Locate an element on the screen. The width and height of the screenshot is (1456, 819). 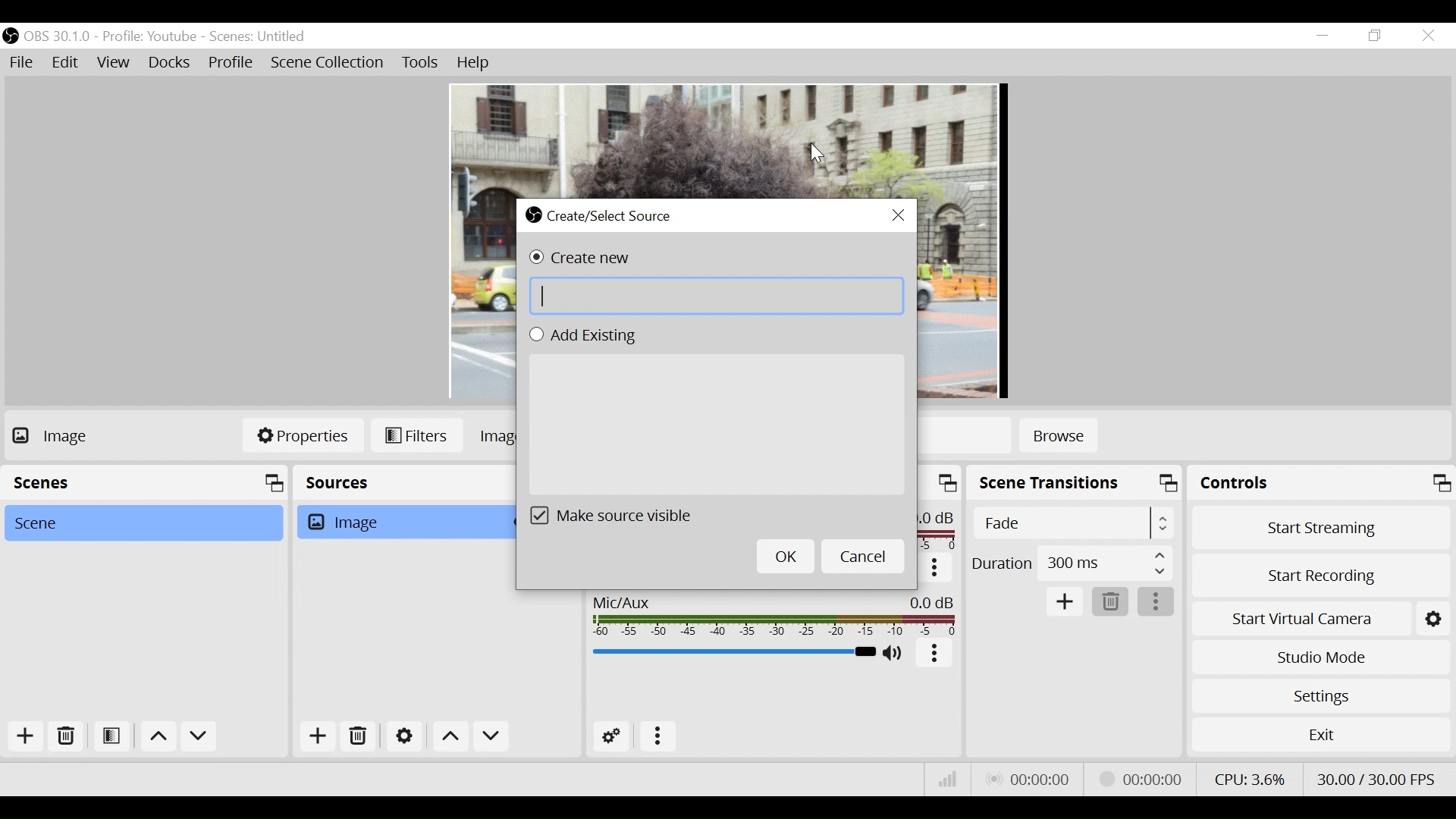
Scene Transition is located at coordinates (1075, 482).